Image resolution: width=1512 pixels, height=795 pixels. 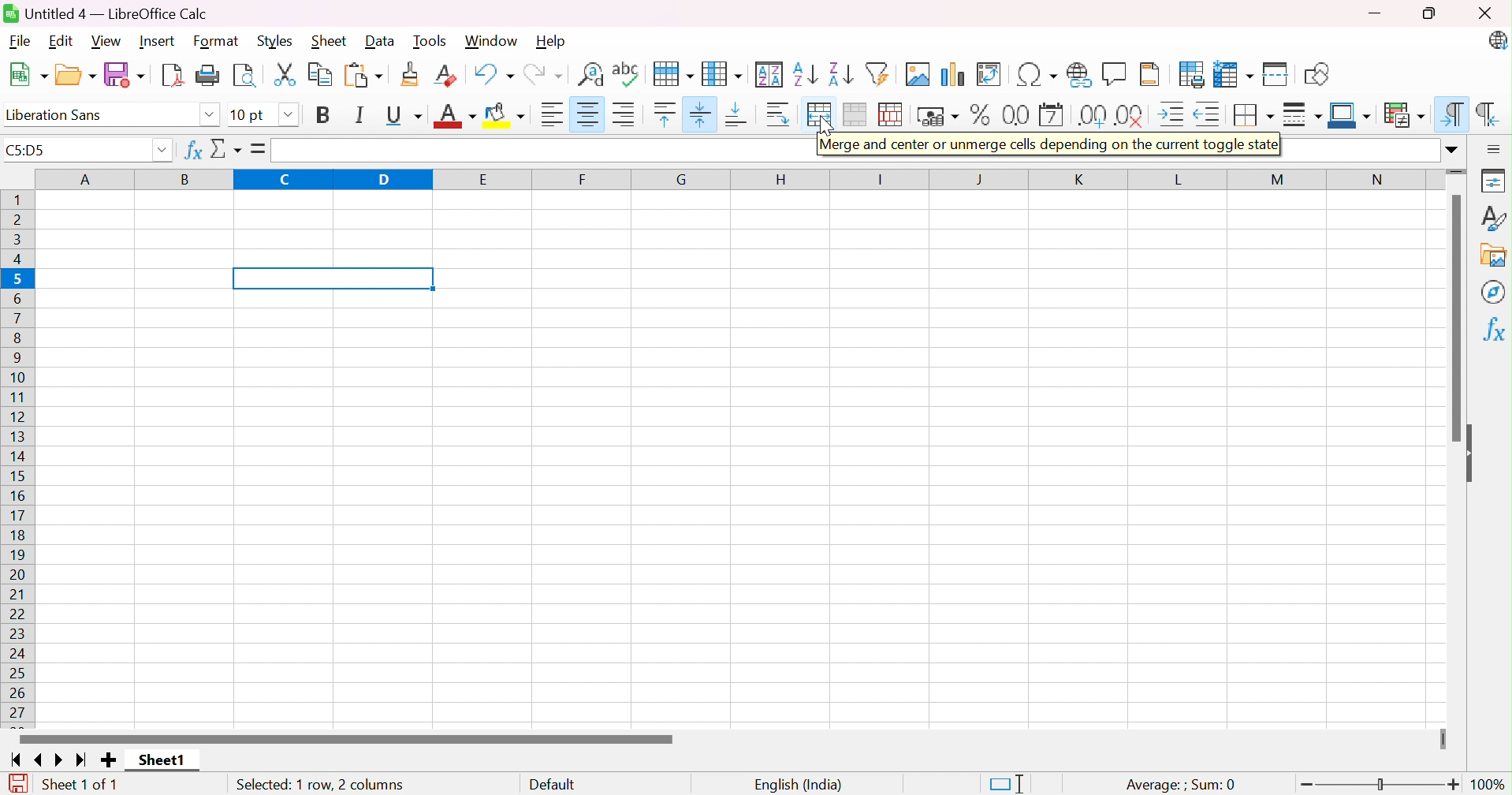 What do you see at coordinates (1090, 114) in the screenshot?
I see `Add Decimal Place` at bounding box center [1090, 114].